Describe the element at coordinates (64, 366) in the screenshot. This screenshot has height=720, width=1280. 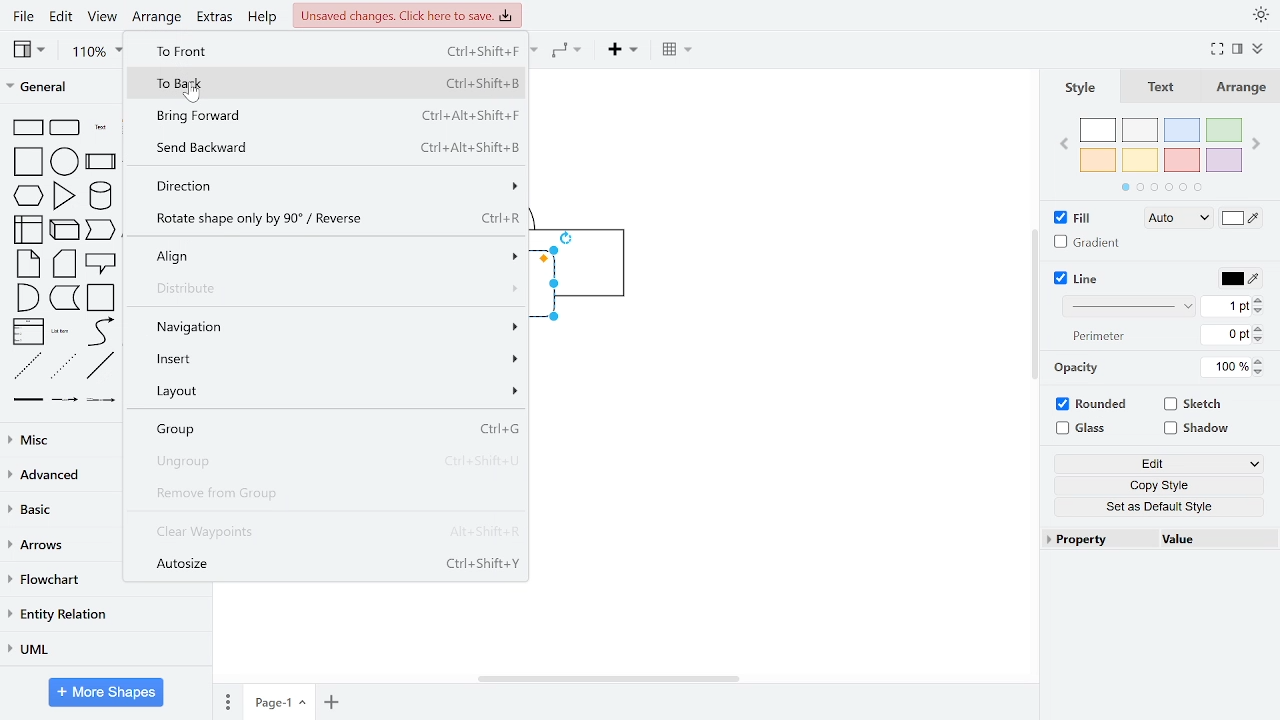
I see `dotted line` at that location.